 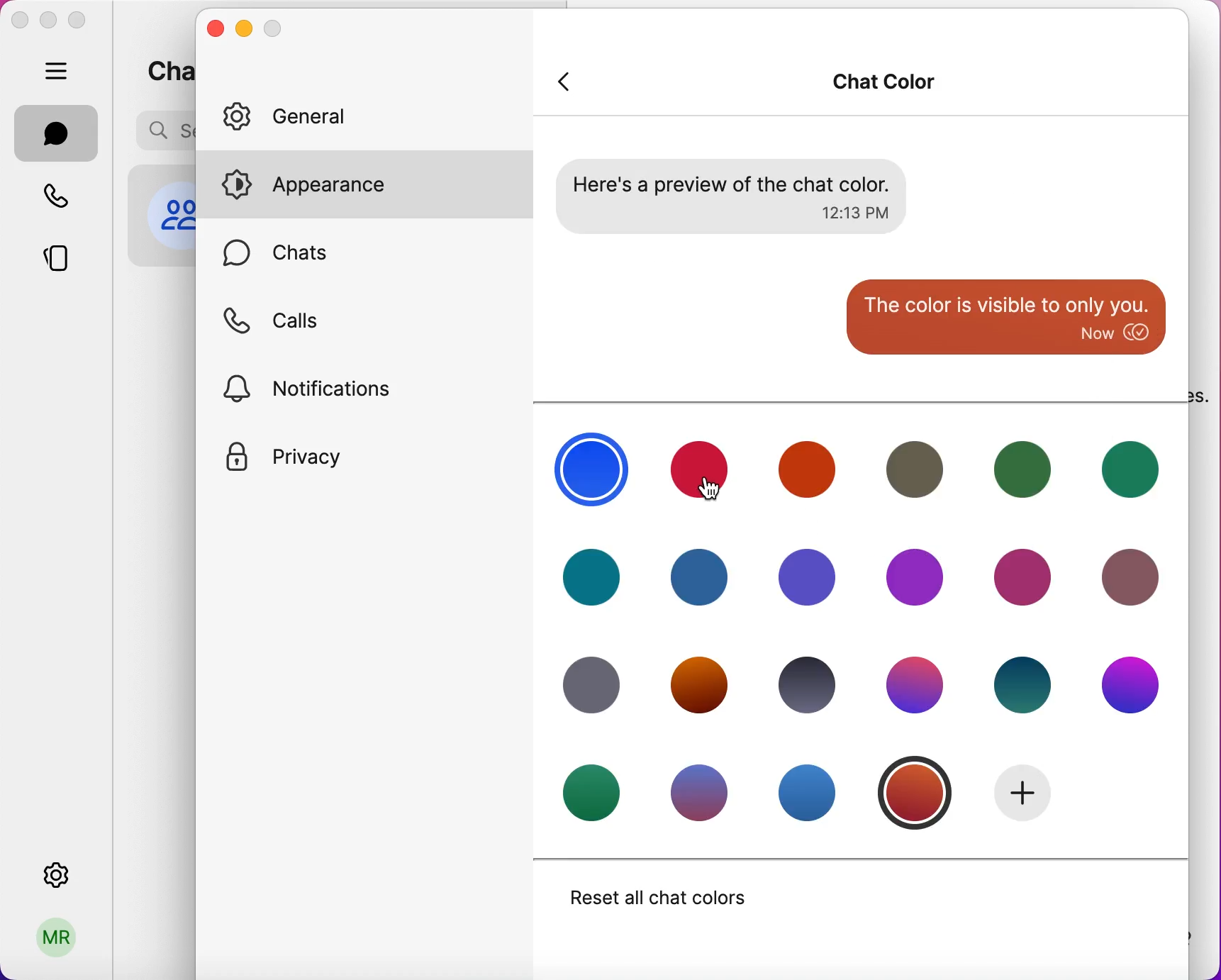 What do you see at coordinates (753, 200) in the screenshot?
I see `preview of chat color` at bounding box center [753, 200].